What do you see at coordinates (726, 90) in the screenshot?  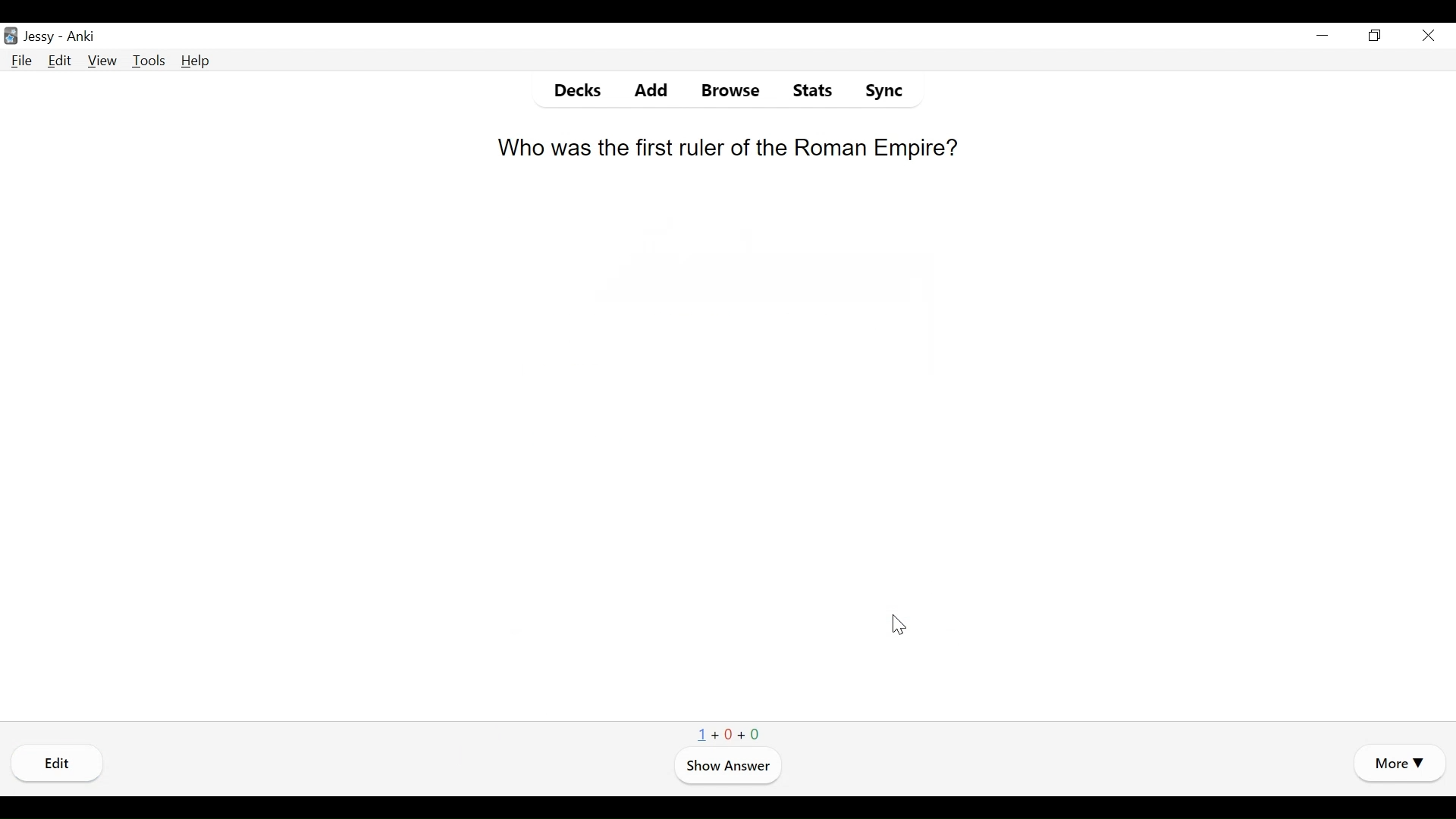 I see `Browse` at bounding box center [726, 90].